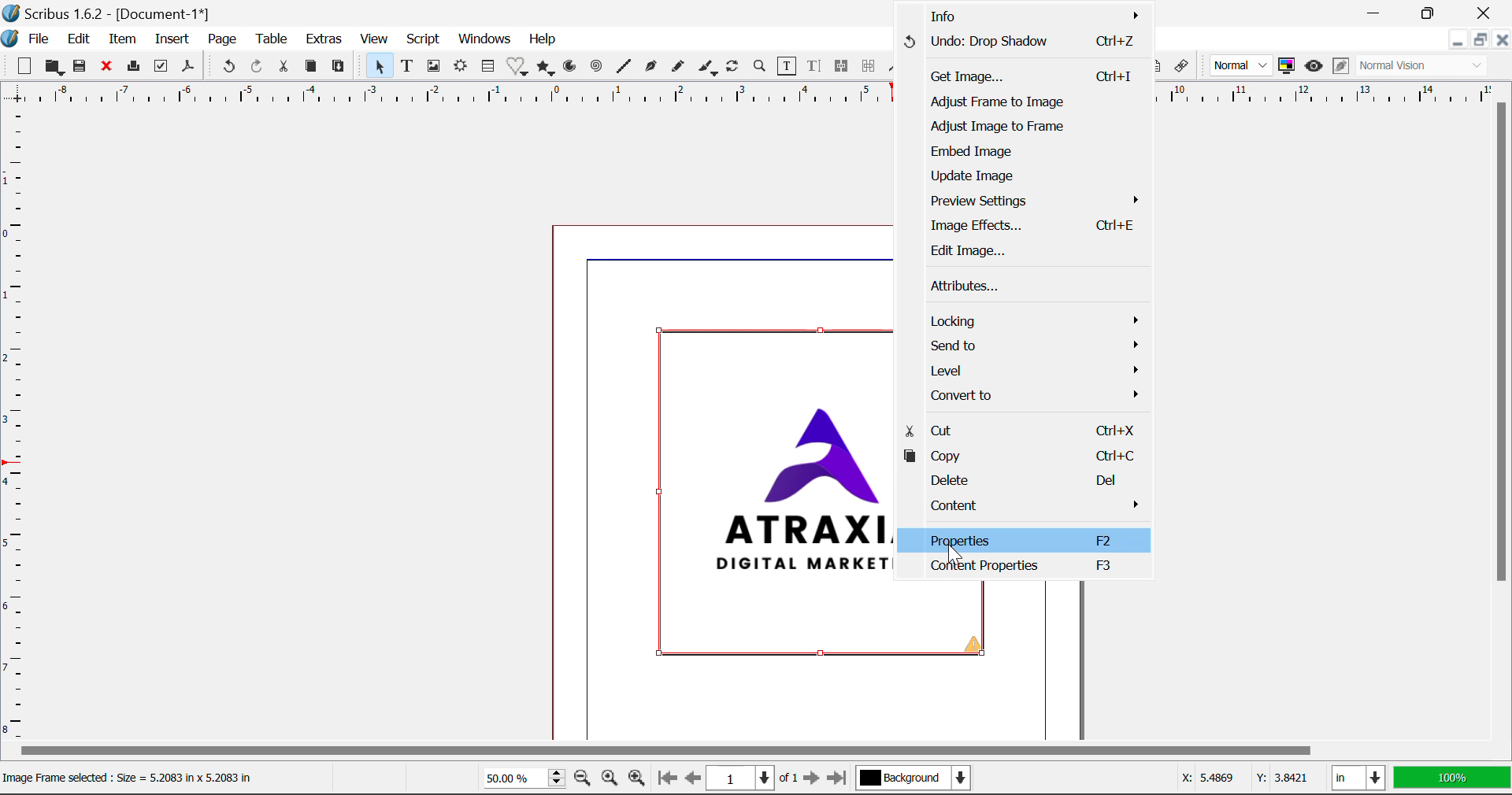 Image resolution: width=1512 pixels, height=795 pixels. What do you see at coordinates (1158, 68) in the screenshot?
I see `Text Annotation` at bounding box center [1158, 68].